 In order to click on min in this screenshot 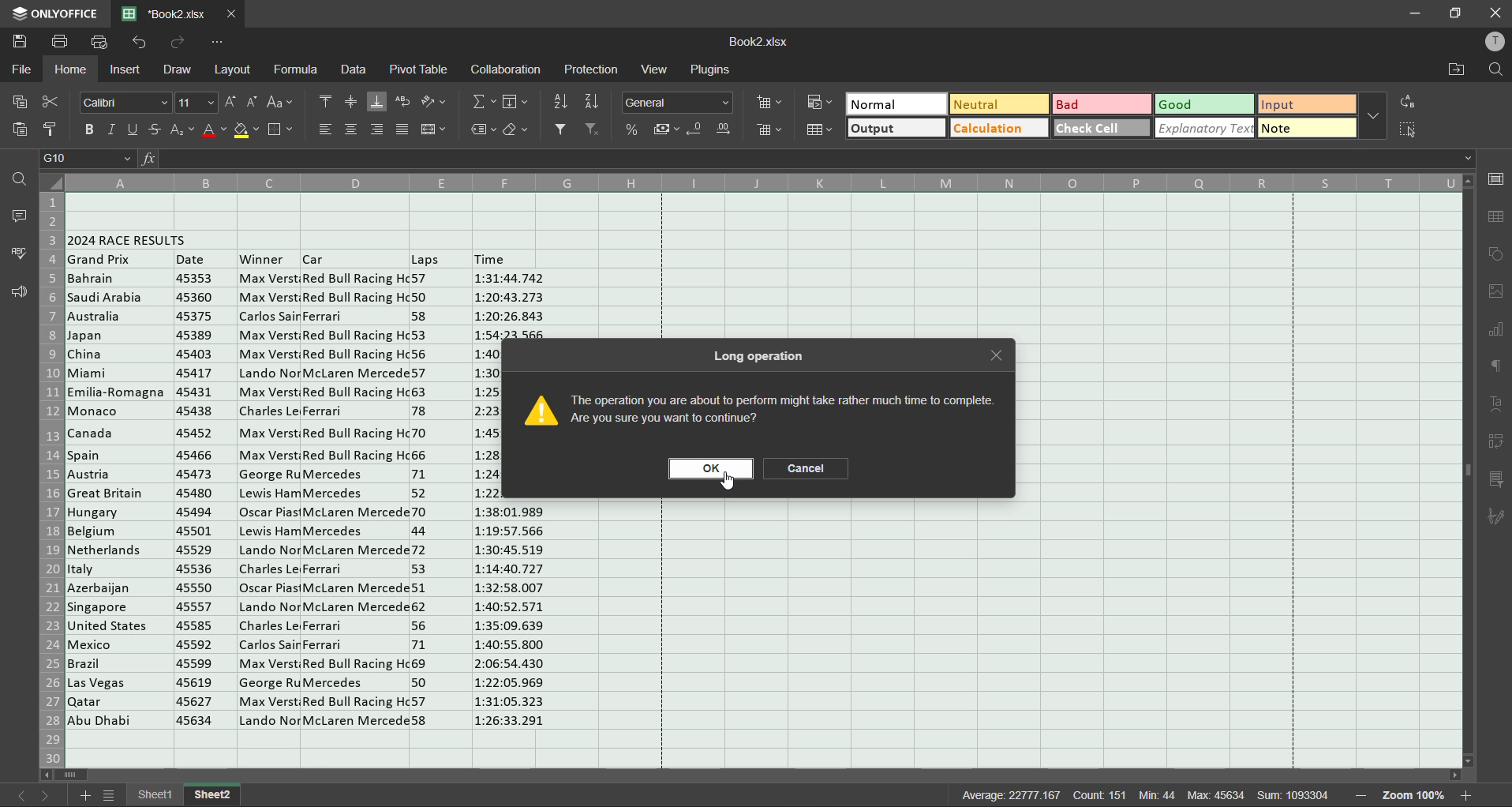, I will do `click(1158, 795)`.